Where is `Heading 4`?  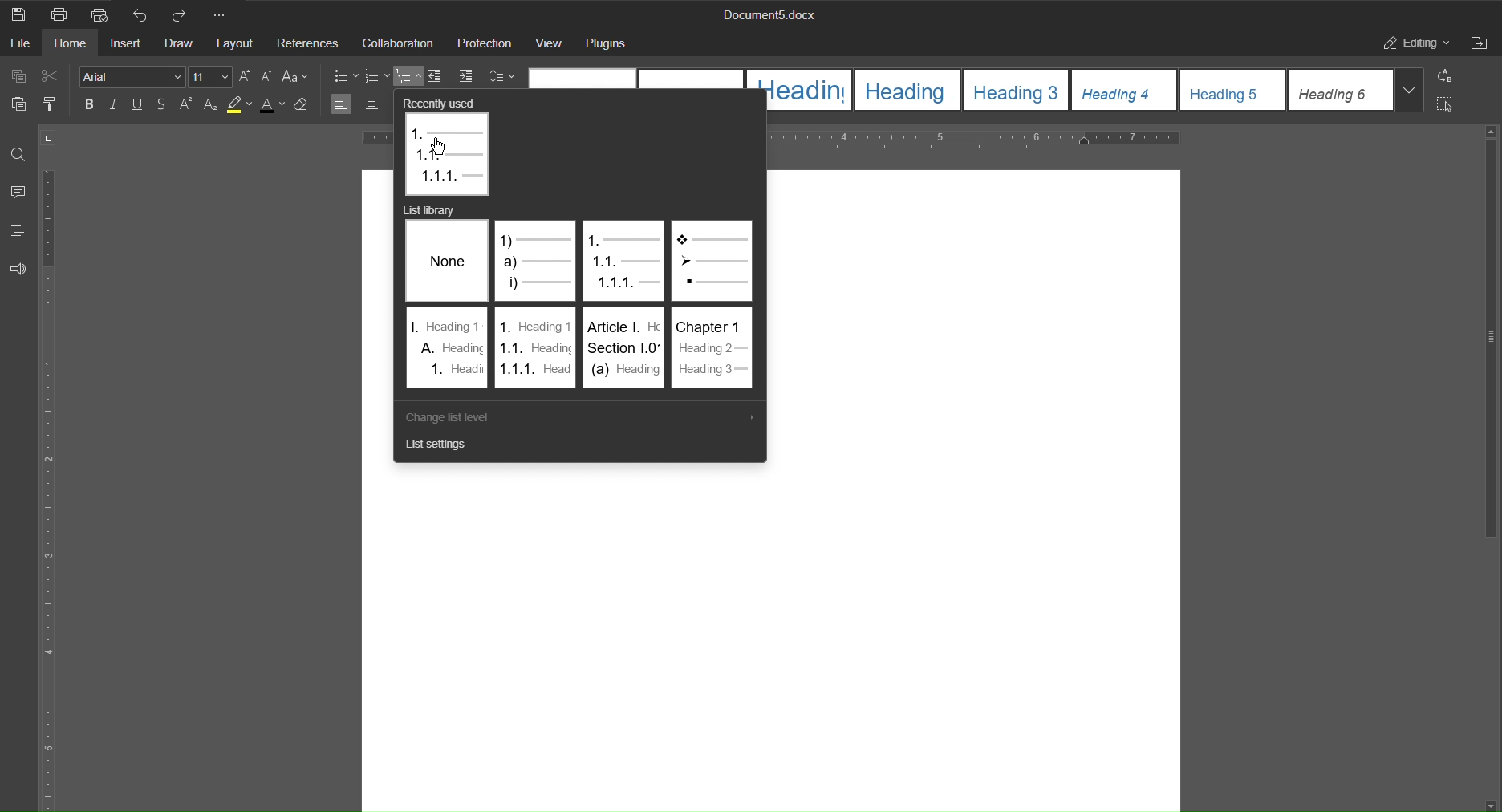
Heading 4 is located at coordinates (1127, 90).